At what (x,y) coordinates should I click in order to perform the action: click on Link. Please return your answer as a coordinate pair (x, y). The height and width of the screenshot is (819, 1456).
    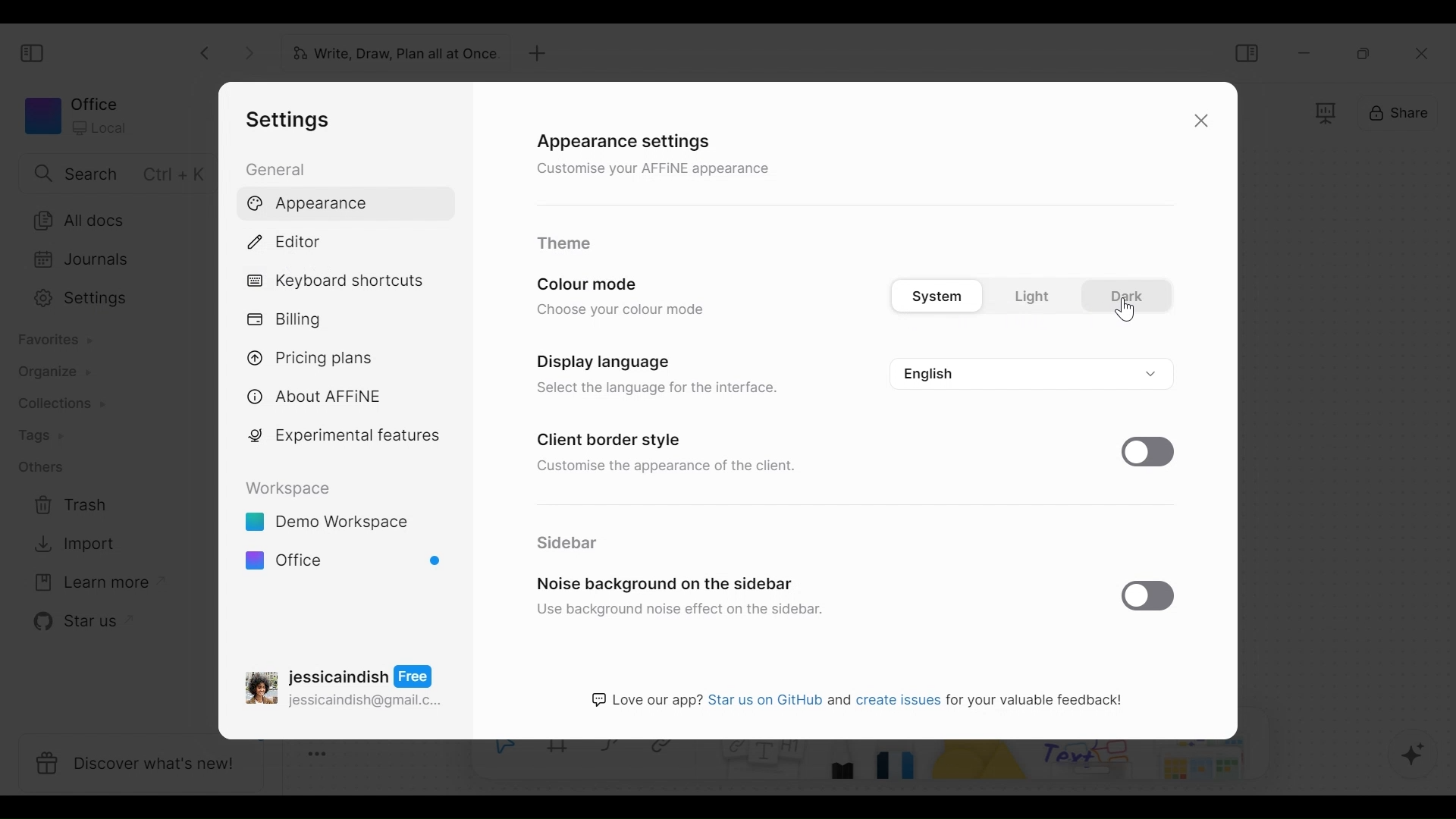
    Looking at the image, I should click on (667, 748).